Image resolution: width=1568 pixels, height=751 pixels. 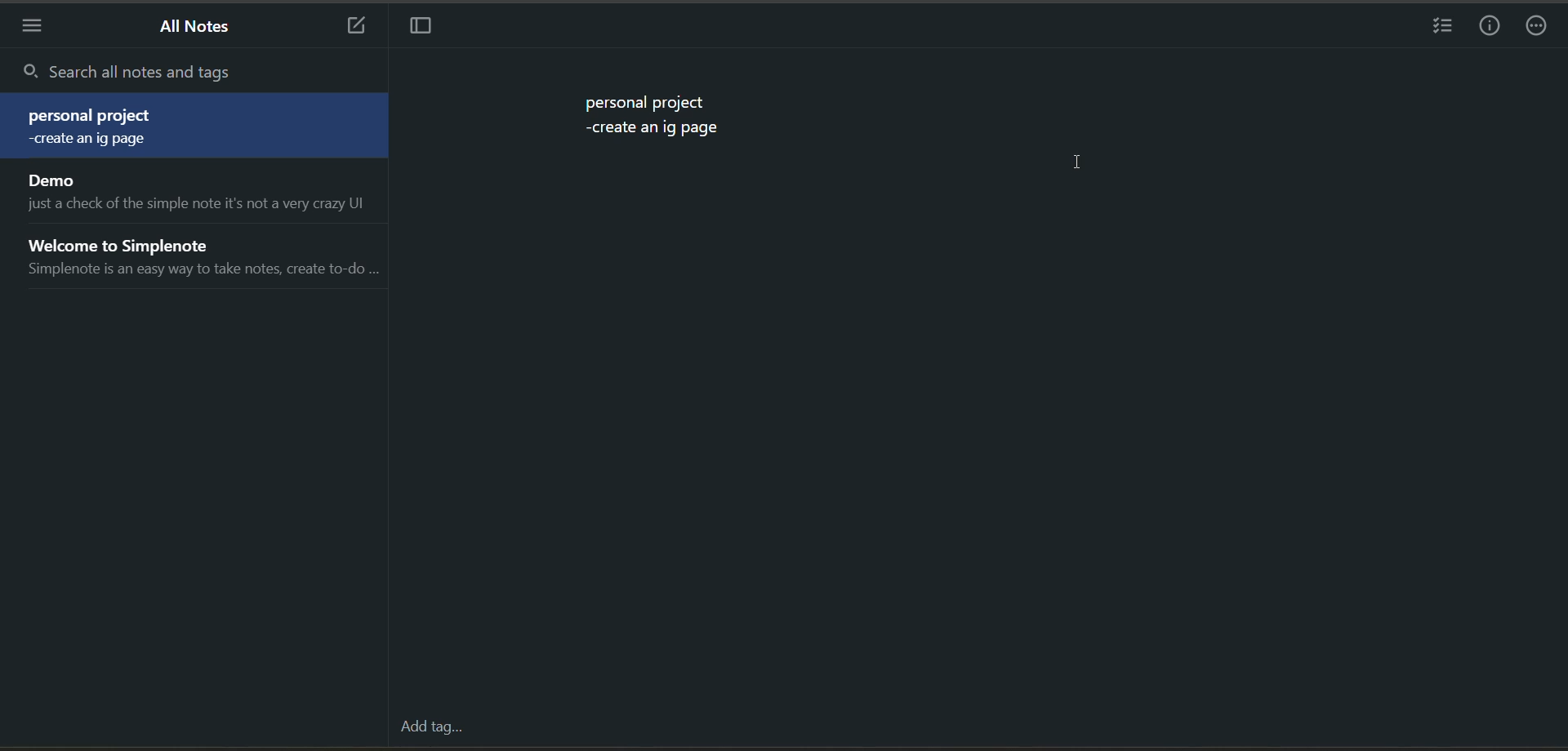 What do you see at coordinates (656, 118) in the screenshot?
I see `data in current notes` at bounding box center [656, 118].